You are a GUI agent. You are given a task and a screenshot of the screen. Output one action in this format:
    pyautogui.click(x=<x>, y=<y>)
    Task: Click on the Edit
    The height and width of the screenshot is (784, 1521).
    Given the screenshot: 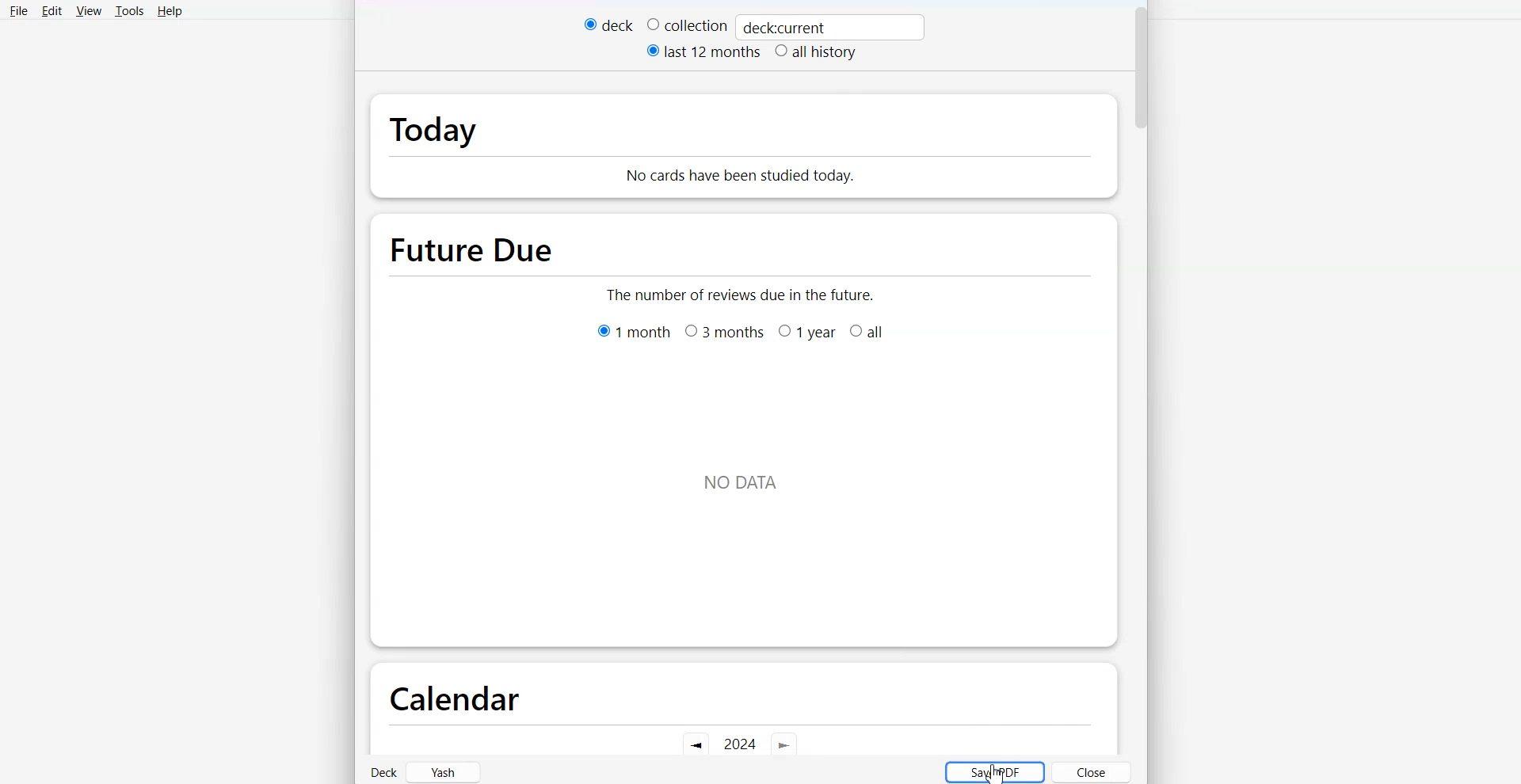 What is the action you would take?
    pyautogui.click(x=51, y=11)
    